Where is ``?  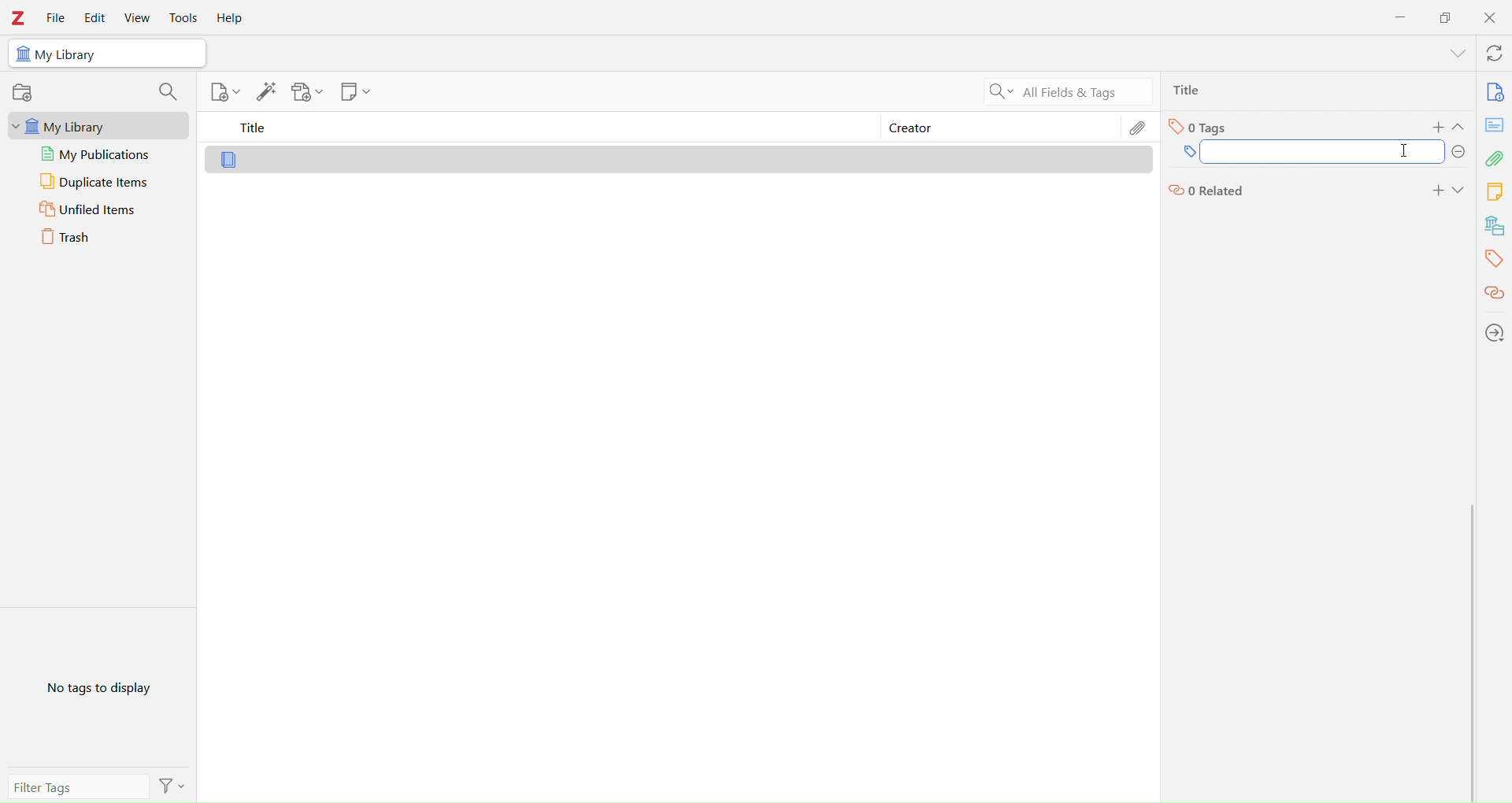
 is located at coordinates (184, 18).